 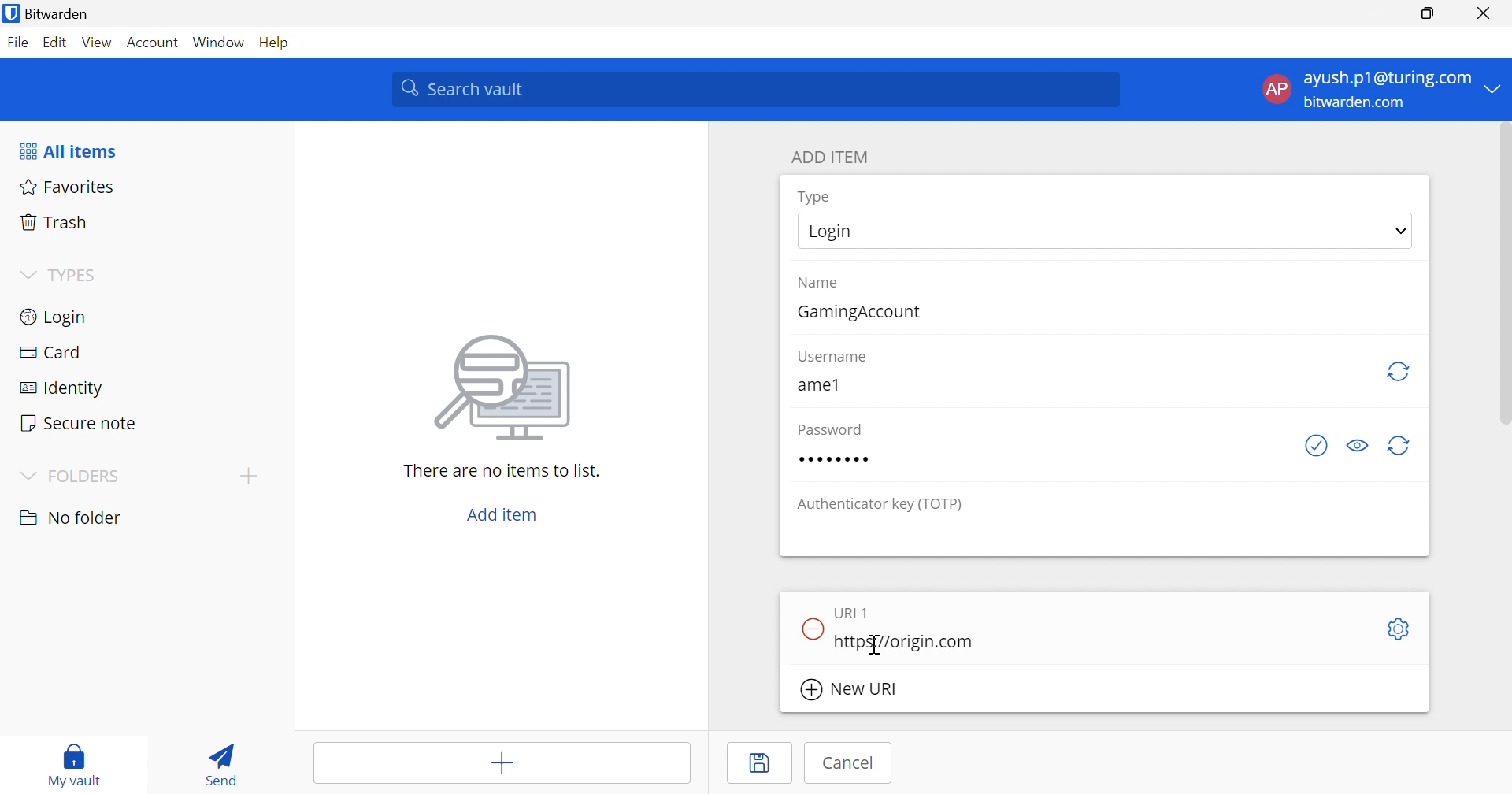 What do you see at coordinates (87, 477) in the screenshot?
I see `FOLDERS` at bounding box center [87, 477].